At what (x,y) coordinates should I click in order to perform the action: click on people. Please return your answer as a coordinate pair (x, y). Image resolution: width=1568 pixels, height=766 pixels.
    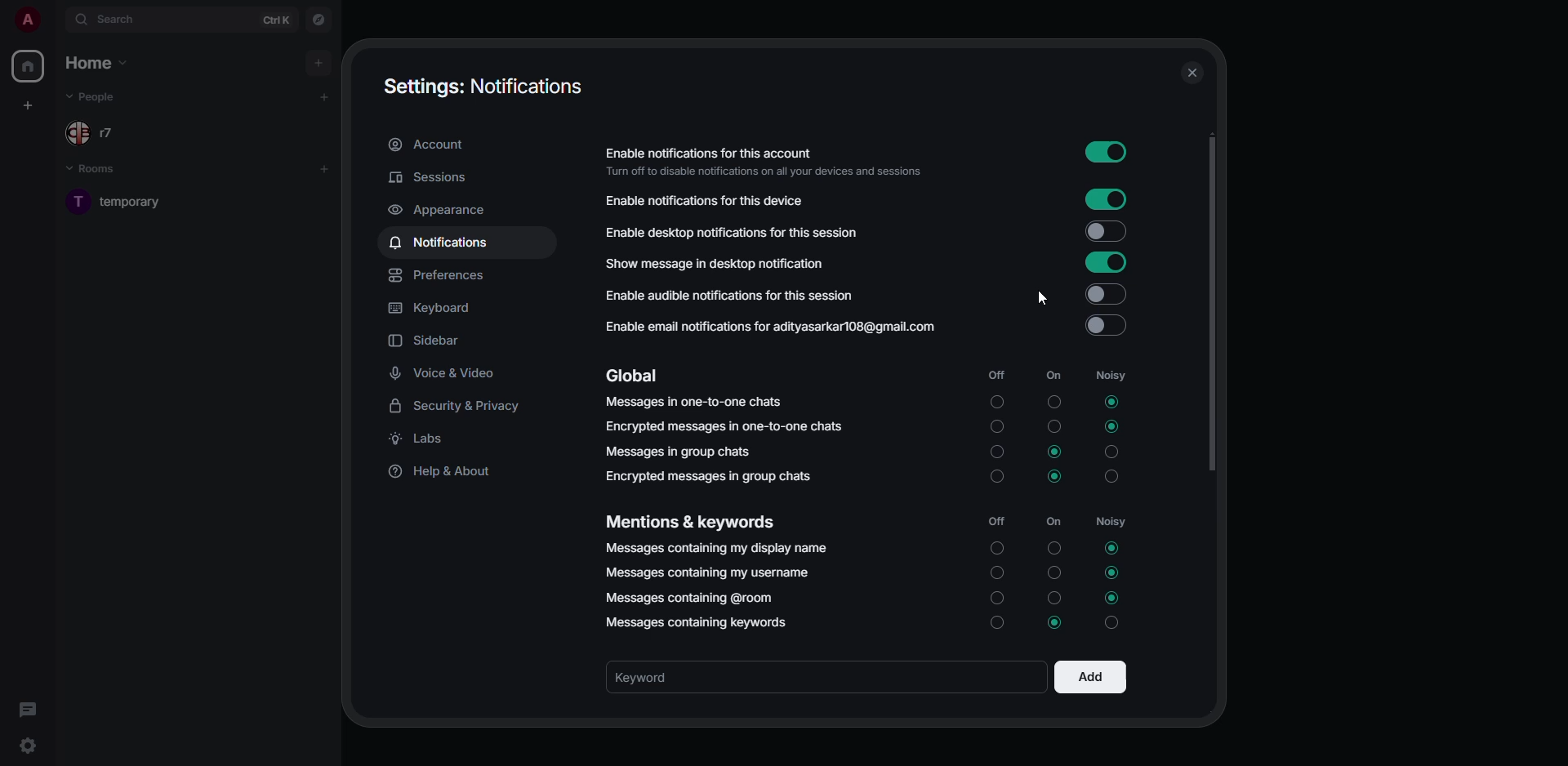
    Looking at the image, I should click on (96, 132).